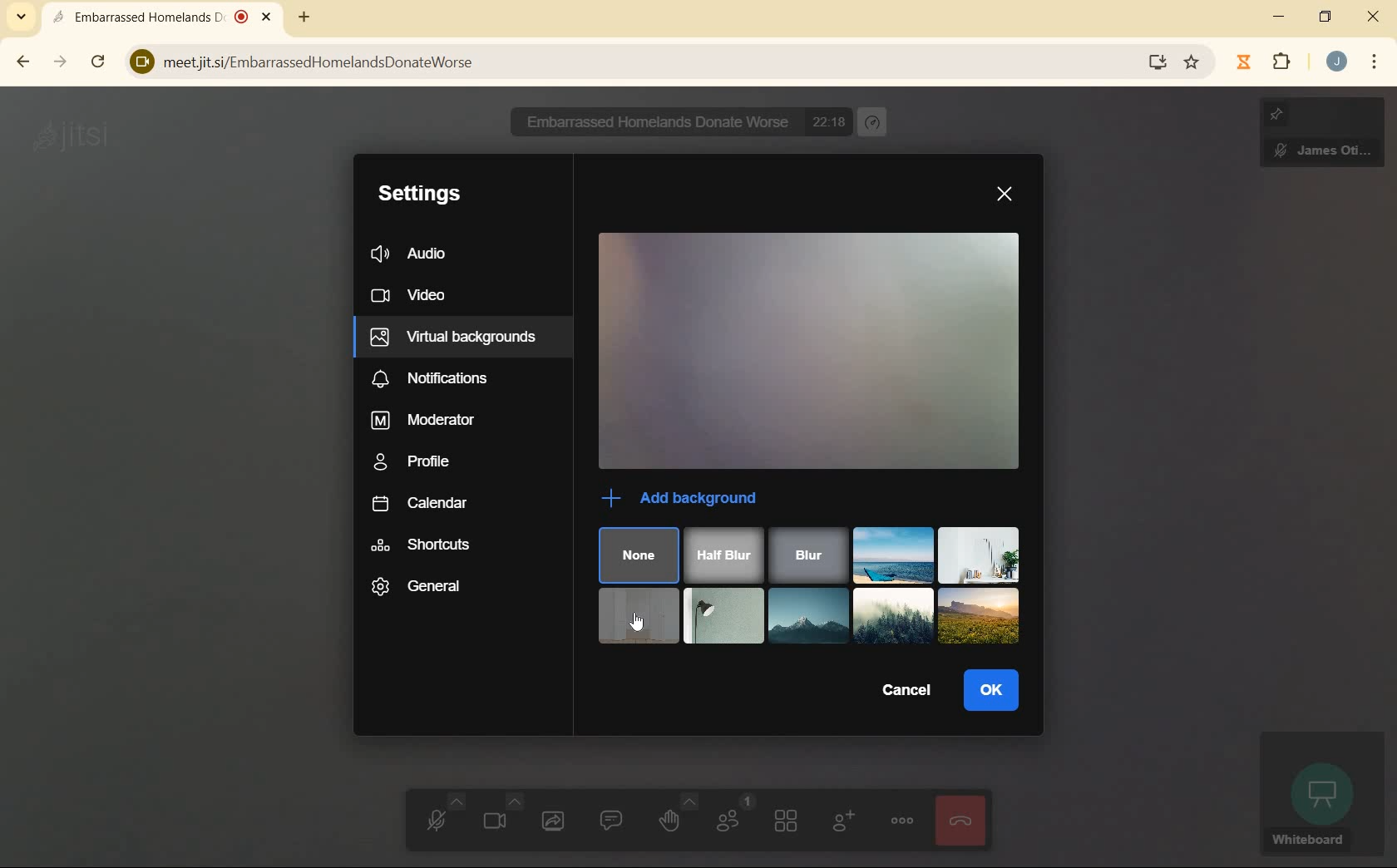 The height and width of the screenshot is (868, 1397). Describe the element at coordinates (61, 63) in the screenshot. I see `forward` at that location.